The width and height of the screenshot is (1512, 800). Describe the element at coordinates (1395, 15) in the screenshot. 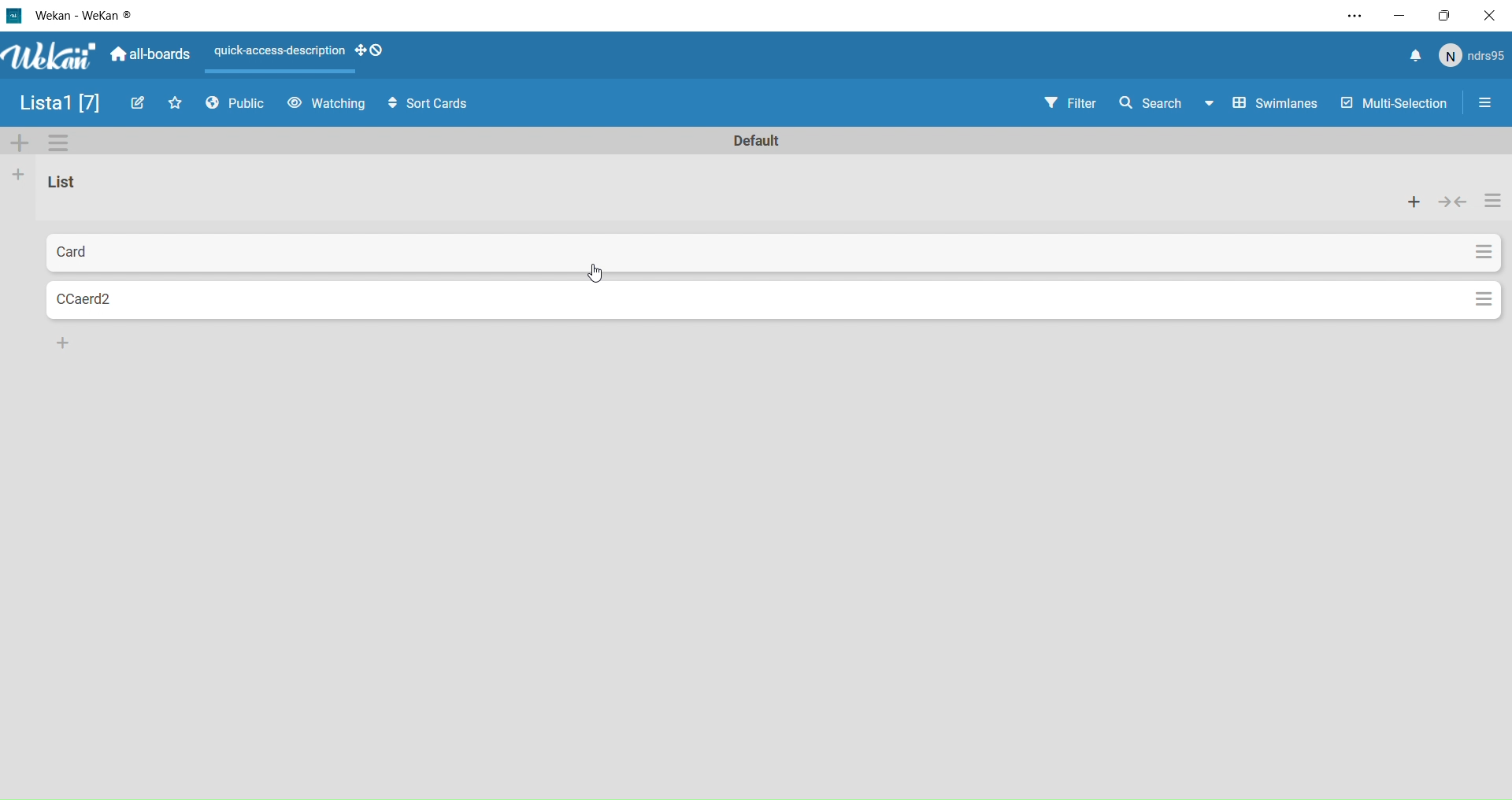

I see `Minimize` at that location.